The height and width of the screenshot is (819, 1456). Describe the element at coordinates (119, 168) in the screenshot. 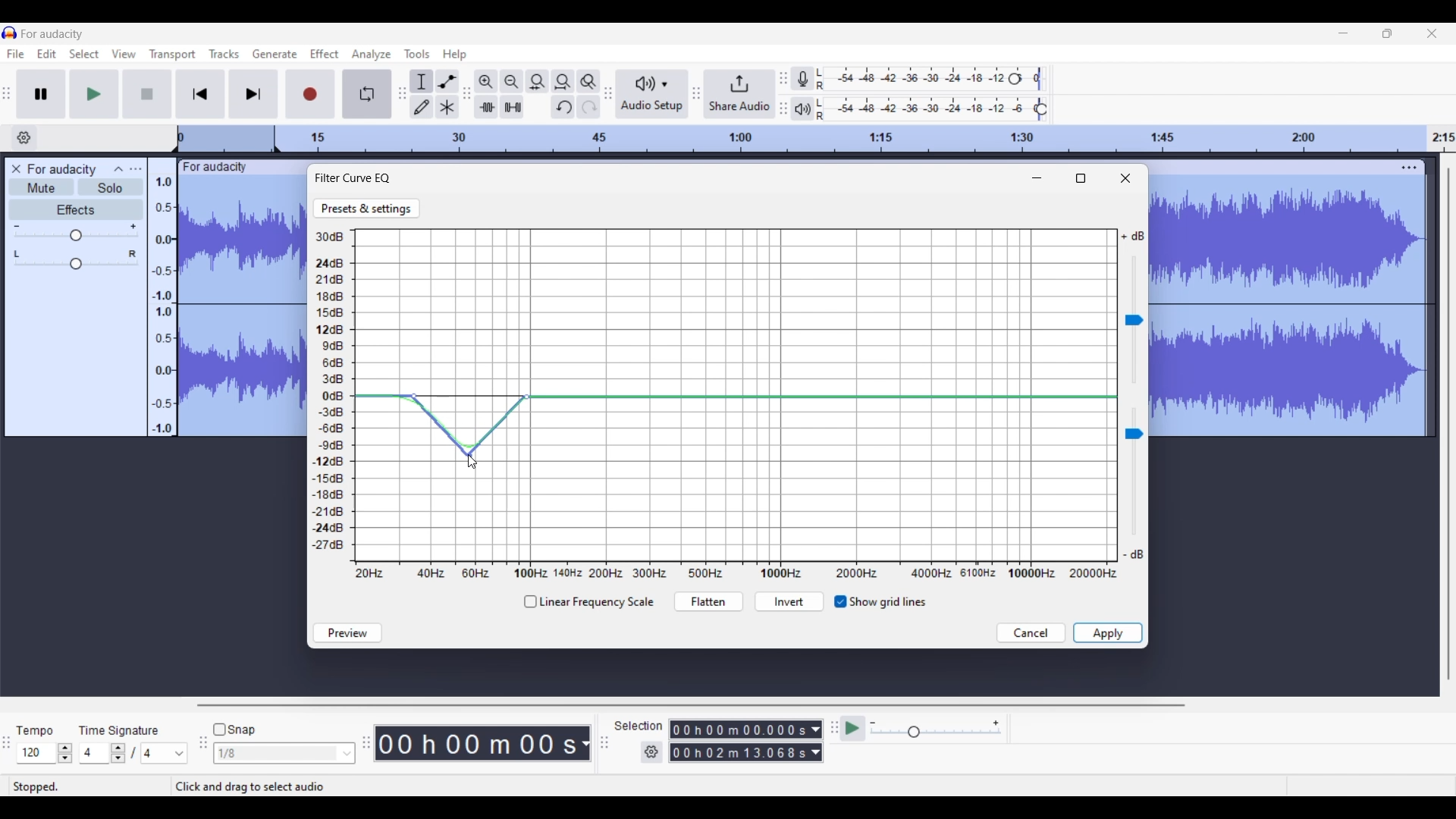

I see `Collapse` at that location.